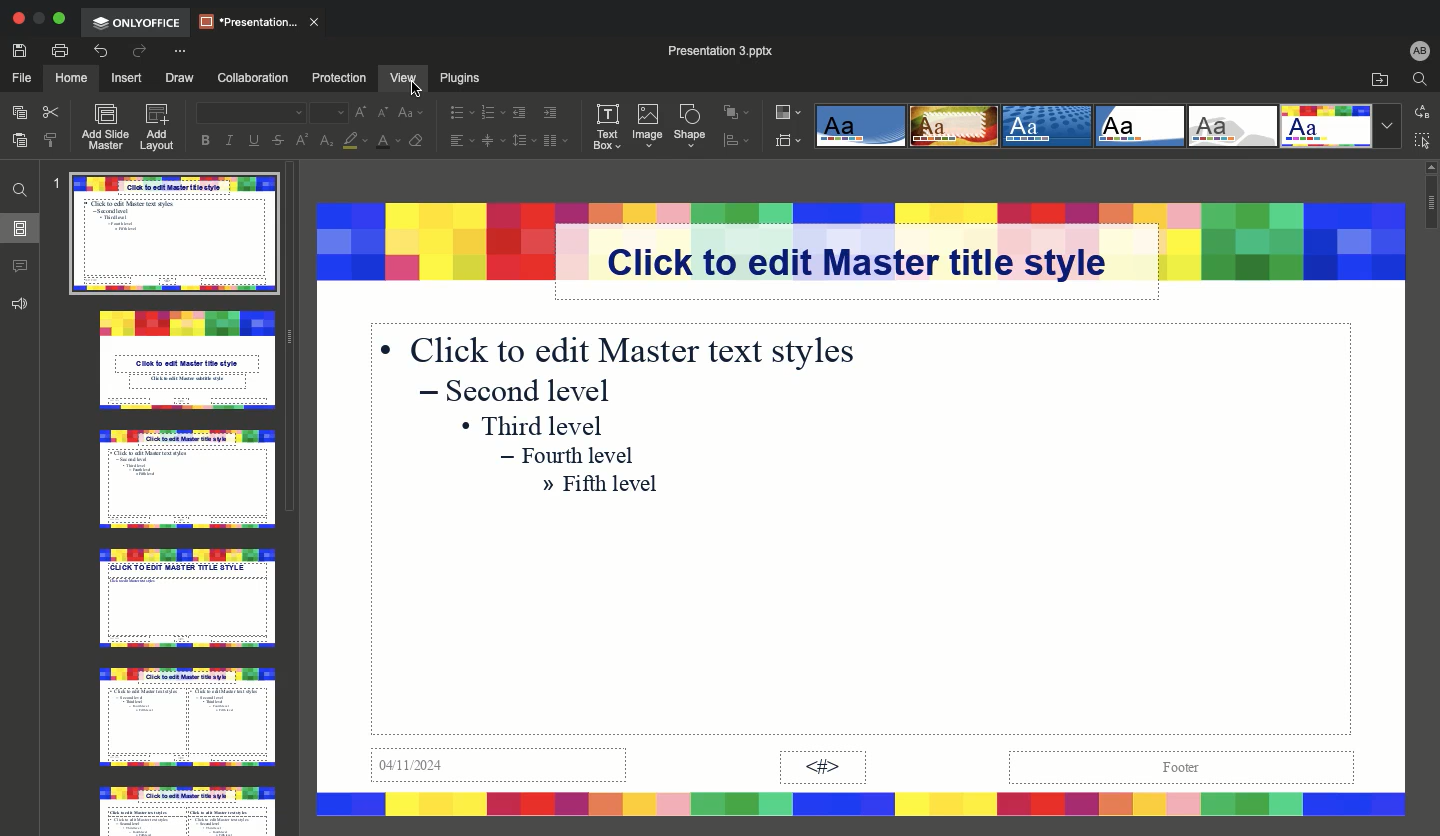 The height and width of the screenshot is (836, 1440). What do you see at coordinates (1423, 112) in the screenshot?
I see `Replace` at bounding box center [1423, 112].